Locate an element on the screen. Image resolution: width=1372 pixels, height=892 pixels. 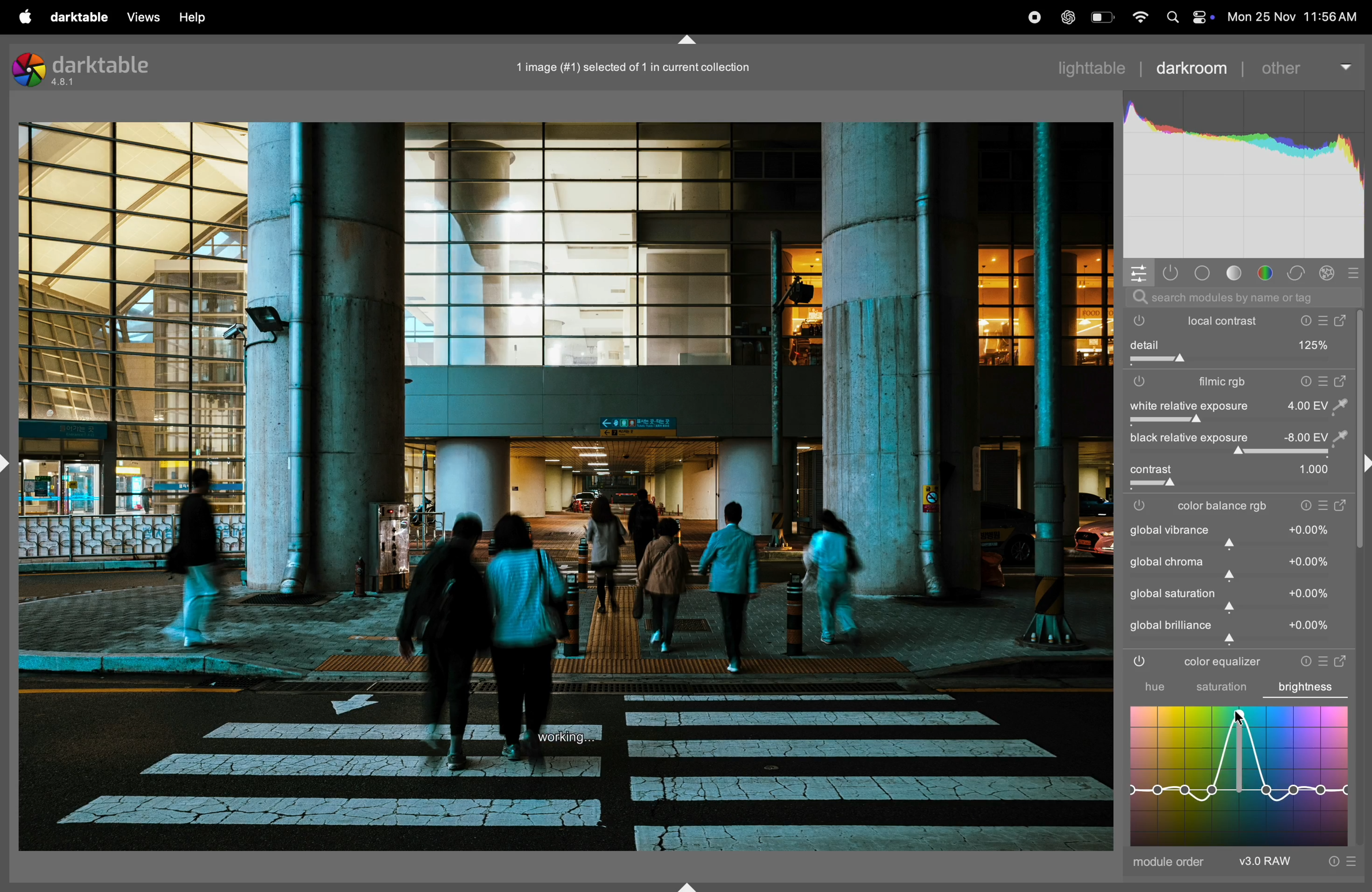
toggle  is located at coordinates (1234, 360).